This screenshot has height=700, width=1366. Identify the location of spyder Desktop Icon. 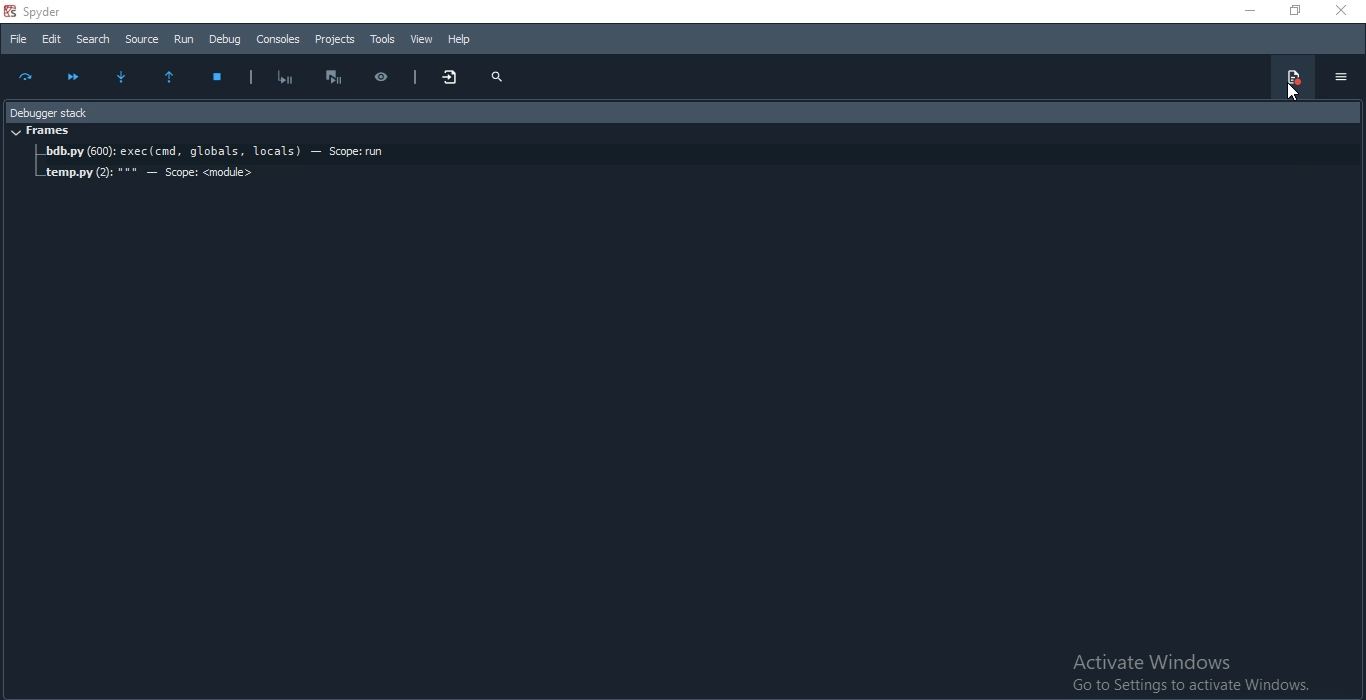
(40, 11).